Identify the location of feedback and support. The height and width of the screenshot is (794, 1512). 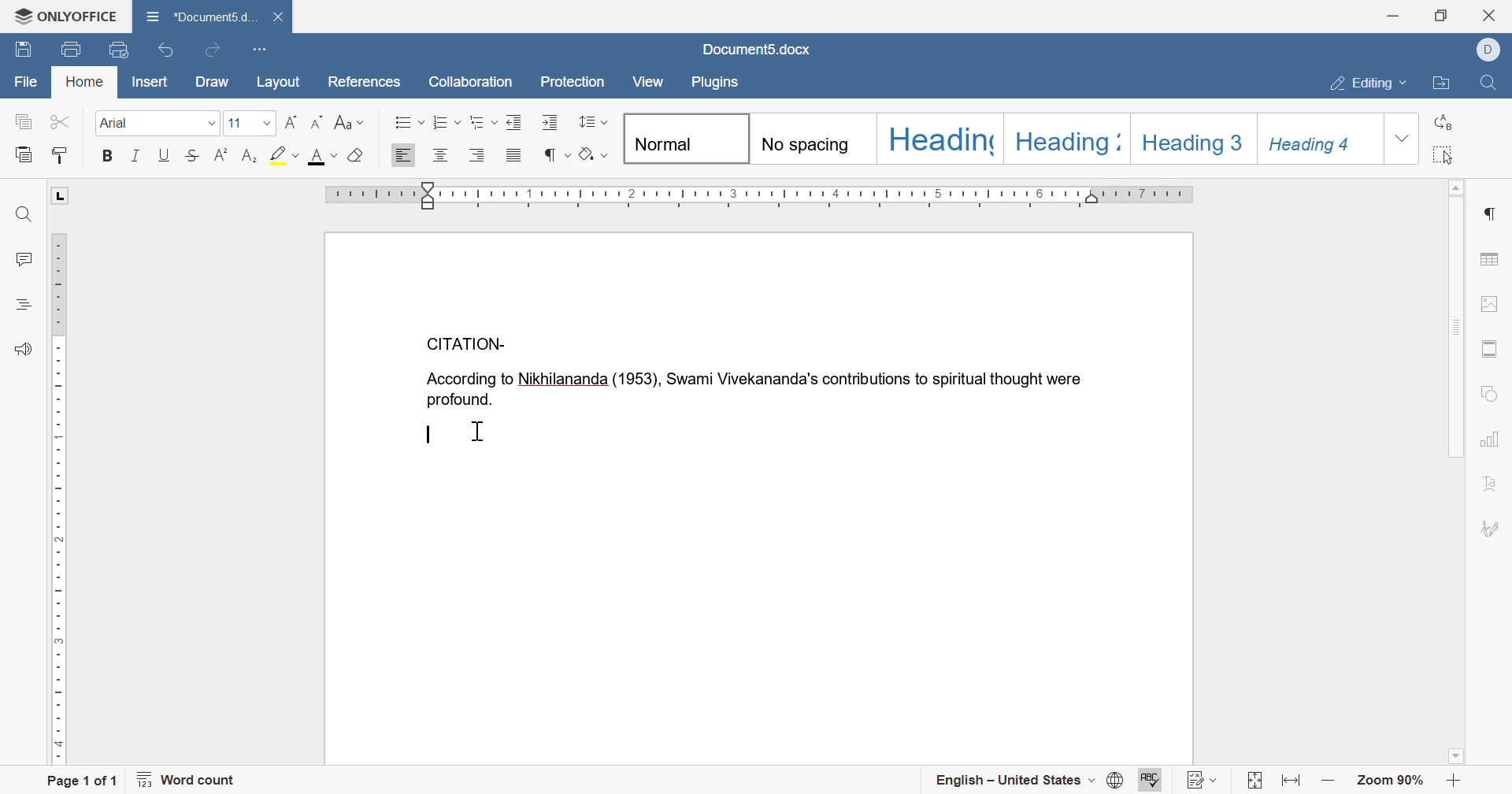
(20, 351).